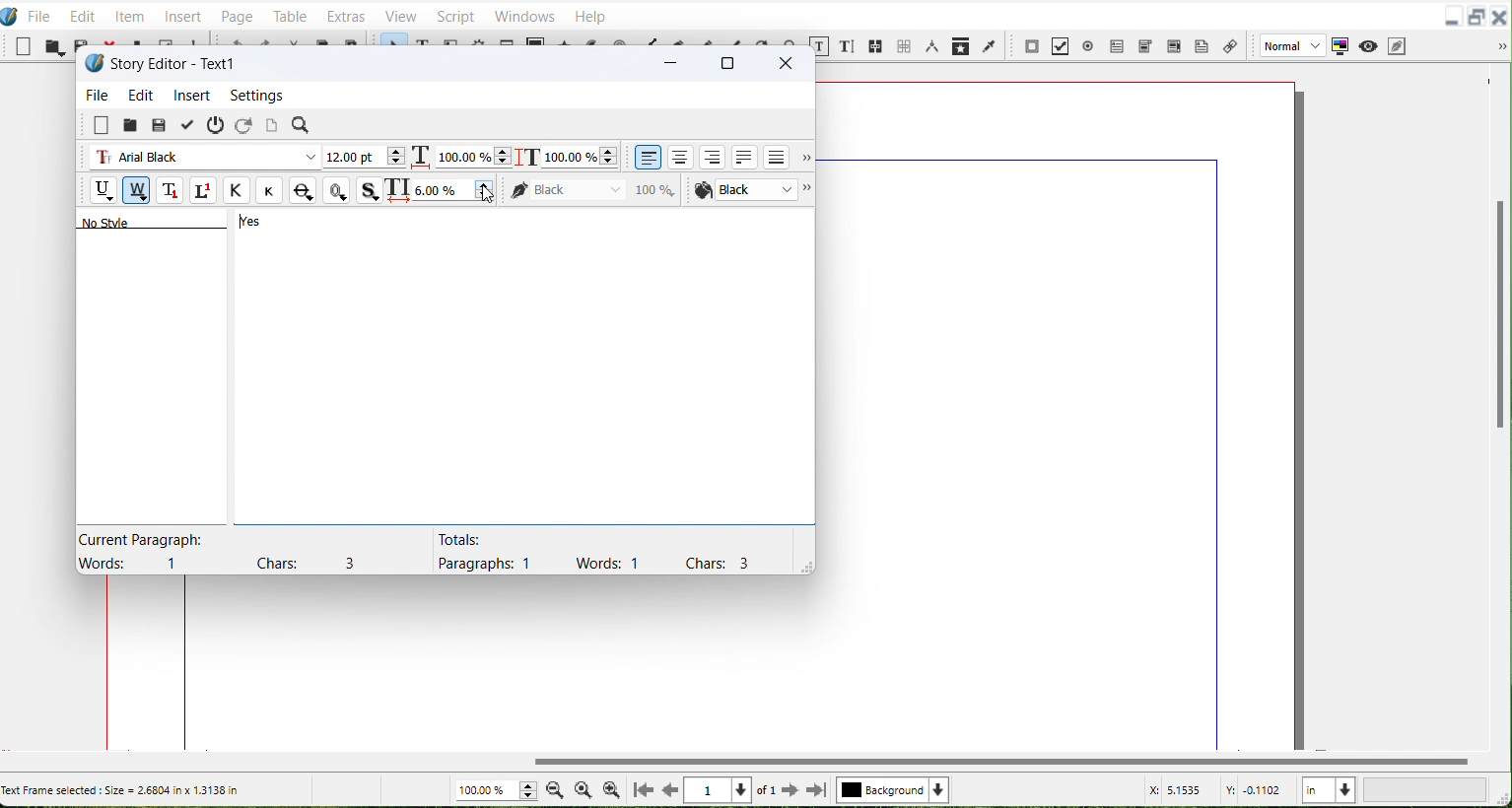 This screenshot has width=1512, height=808. What do you see at coordinates (1218, 460) in the screenshot?
I see `right margin` at bounding box center [1218, 460].